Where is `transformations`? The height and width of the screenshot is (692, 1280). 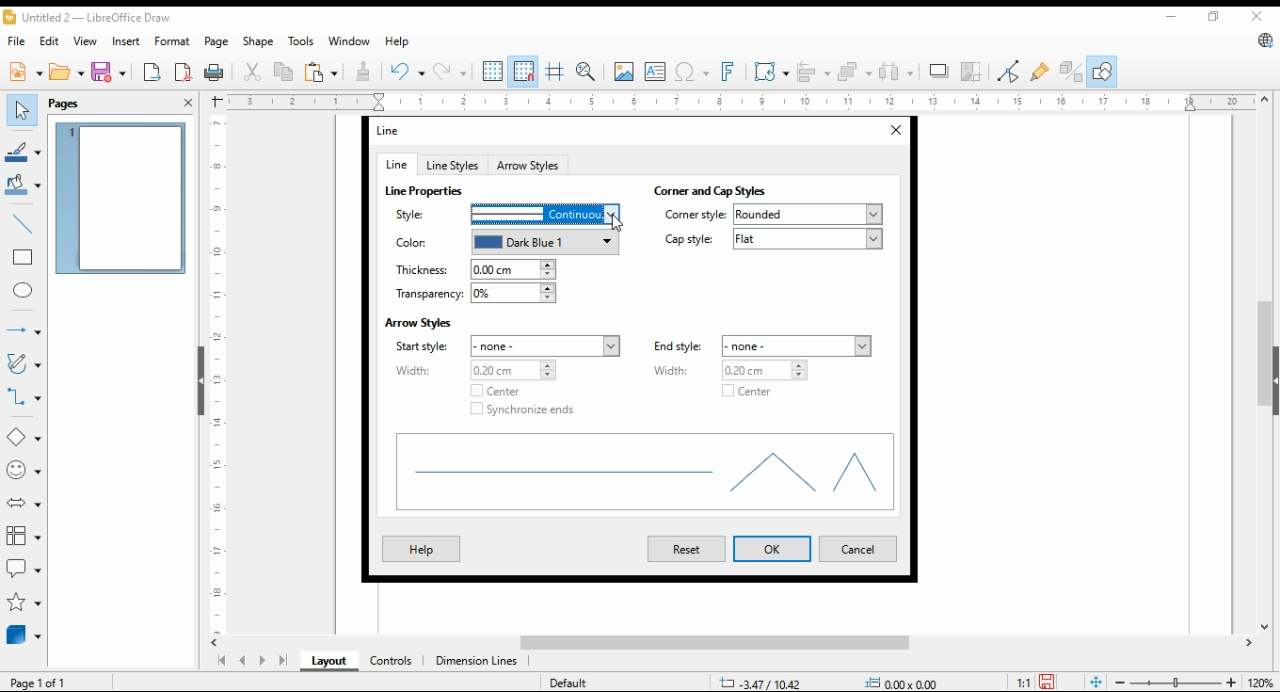
transformations is located at coordinates (770, 71).